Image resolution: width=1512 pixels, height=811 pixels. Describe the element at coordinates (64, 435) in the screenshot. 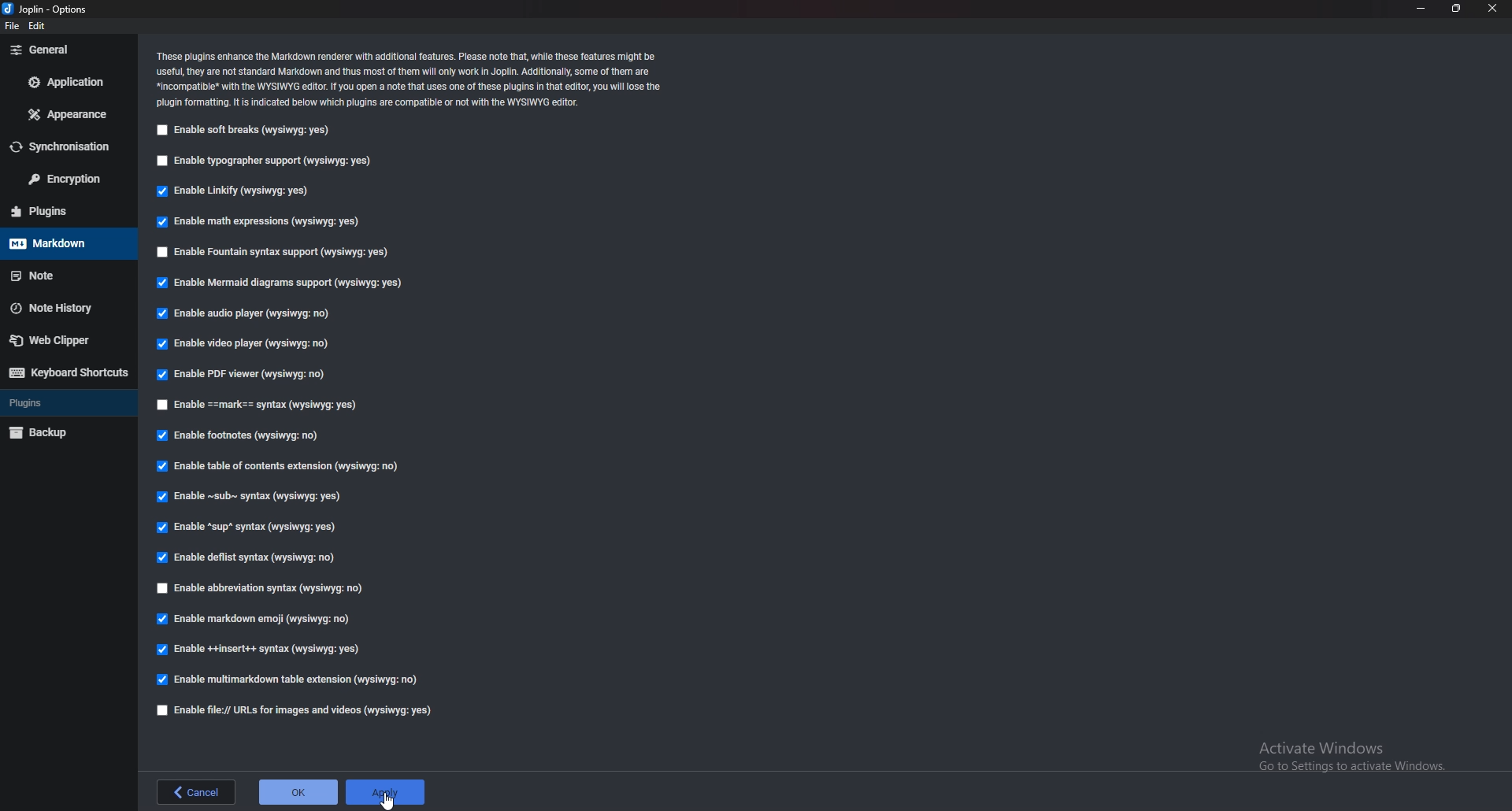

I see `Back up` at that location.